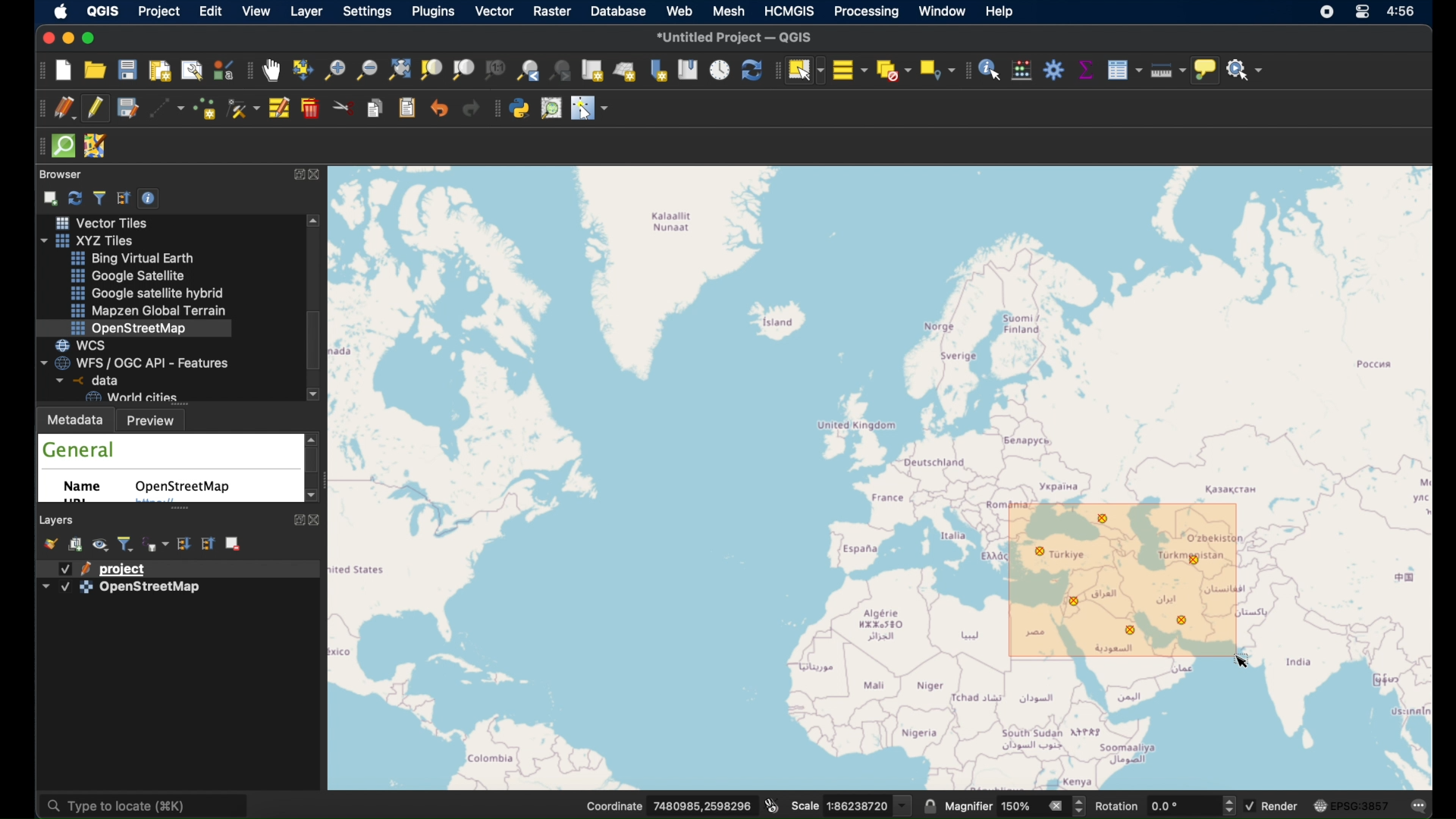 This screenshot has height=819, width=1456. Describe the element at coordinates (249, 72) in the screenshot. I see `map navigation toolbar` at that location.